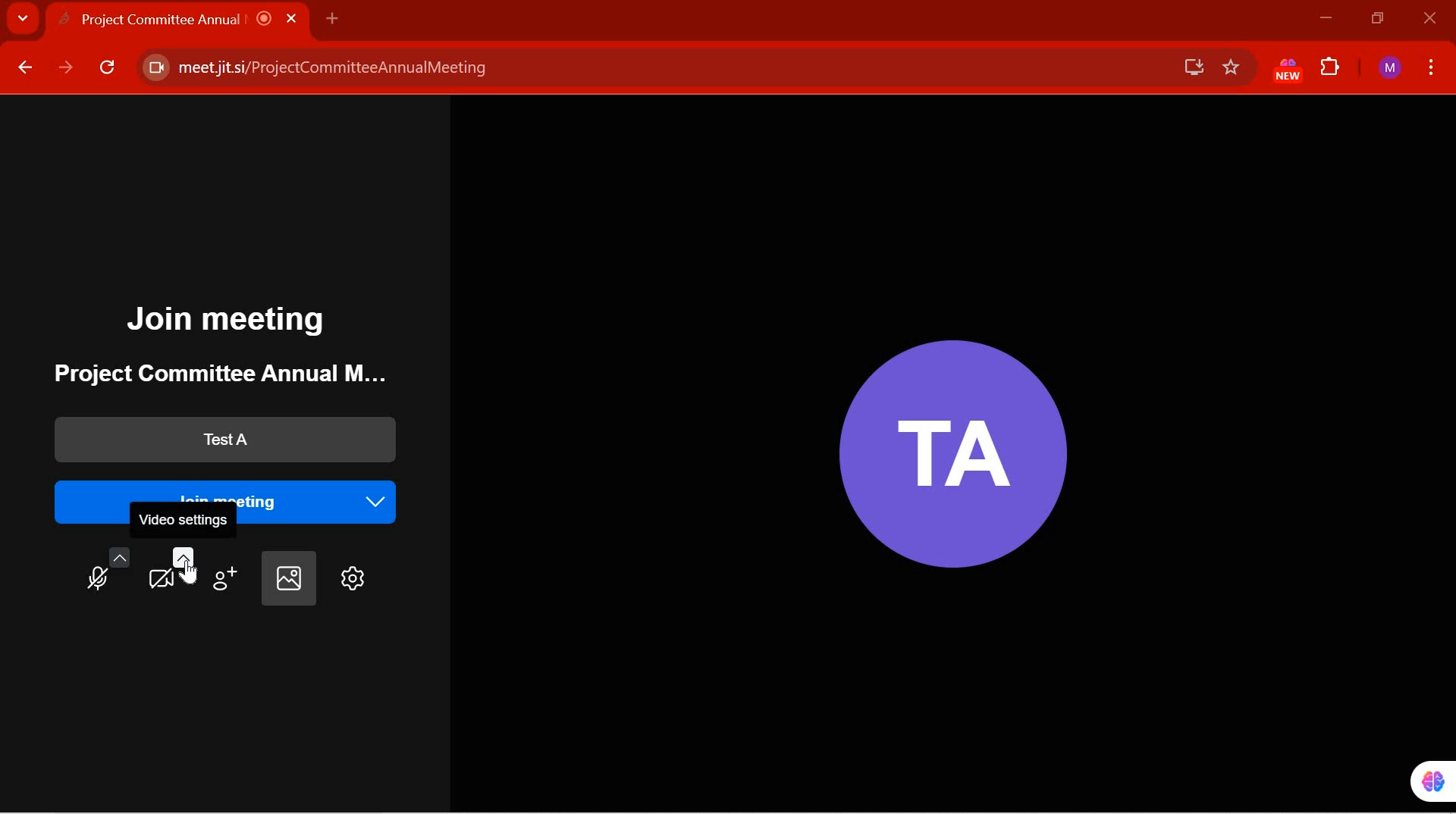 This screenshot has height=814, width=1456. What do you see at coordinates (234, 488) in the screenshot?
I see `join meeting` at bounding box center [234, 488].